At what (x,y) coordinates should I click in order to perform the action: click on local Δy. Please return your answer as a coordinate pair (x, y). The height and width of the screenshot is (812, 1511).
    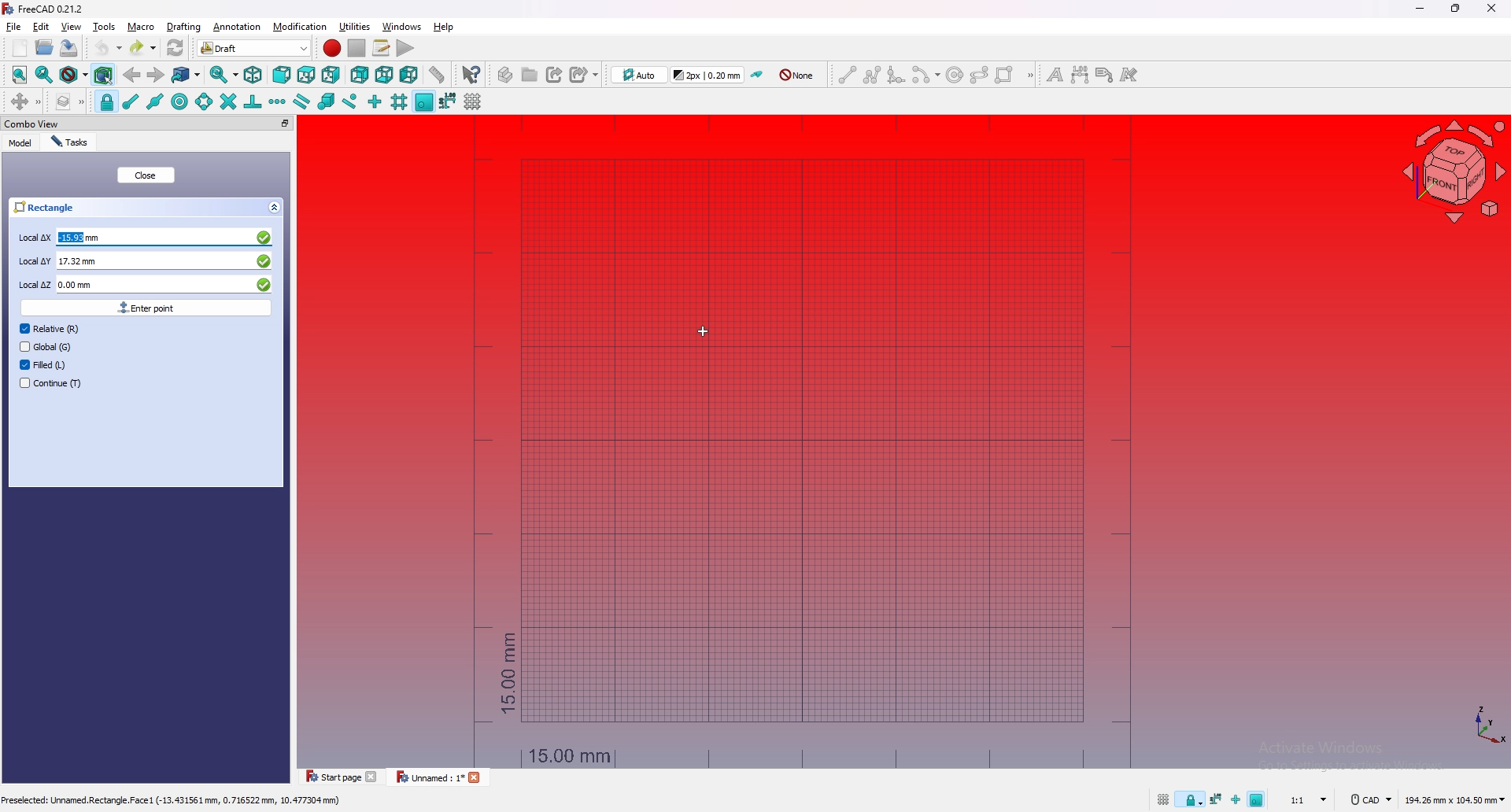
    Looking at the image, I should click on (33, 261).